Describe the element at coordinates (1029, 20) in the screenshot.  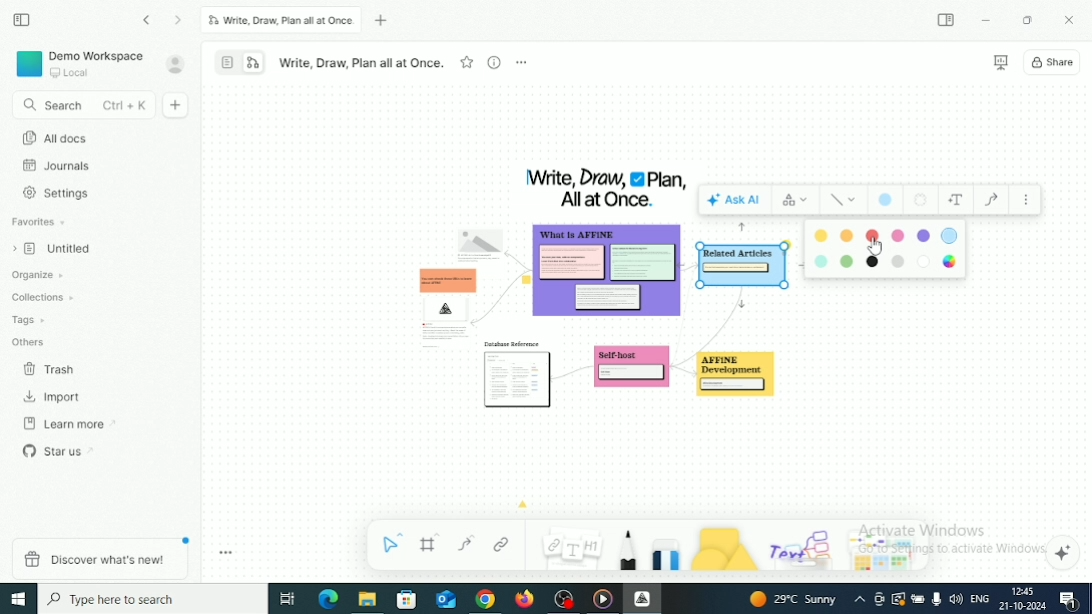
I see `Restore Down` at that location.